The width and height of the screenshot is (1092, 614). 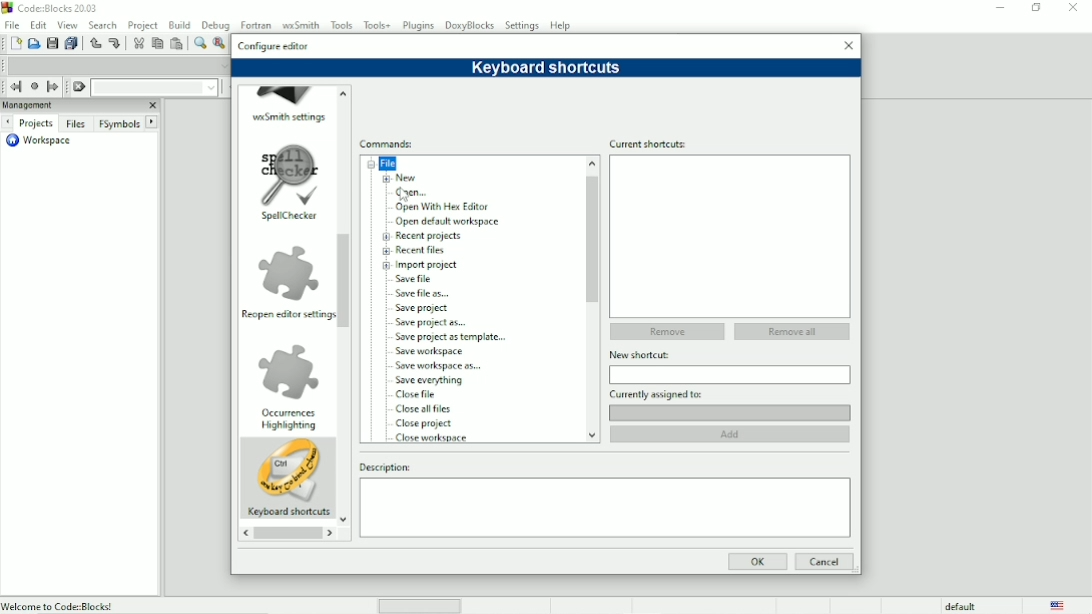 I want to click on Open with hex editor, so click(x=444, y=208).